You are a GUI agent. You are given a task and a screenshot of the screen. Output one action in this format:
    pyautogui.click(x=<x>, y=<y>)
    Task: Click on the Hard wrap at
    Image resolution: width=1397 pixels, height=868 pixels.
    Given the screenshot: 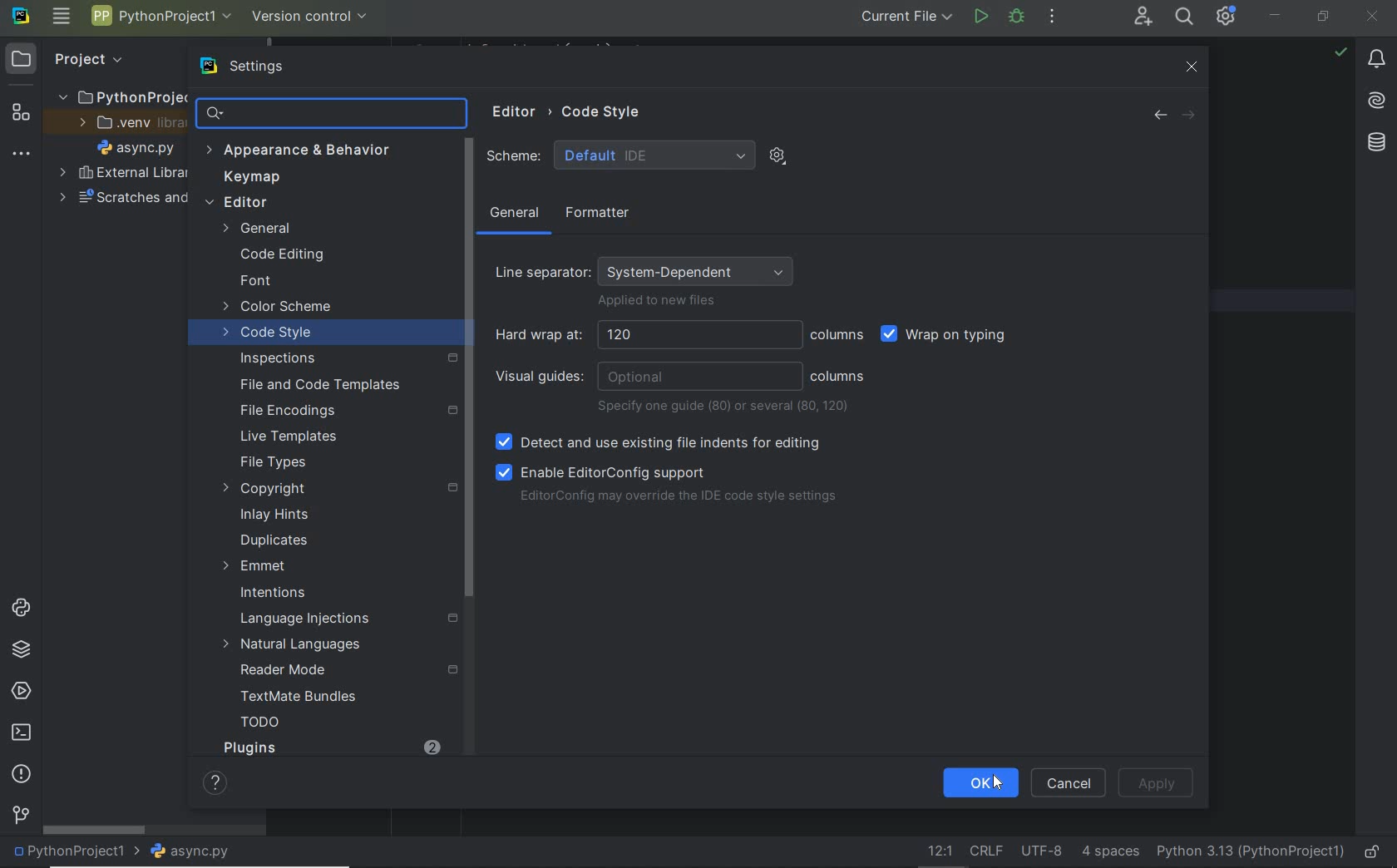 What is the action you would take?
    pyautogui.click(x=643, y=335)
    